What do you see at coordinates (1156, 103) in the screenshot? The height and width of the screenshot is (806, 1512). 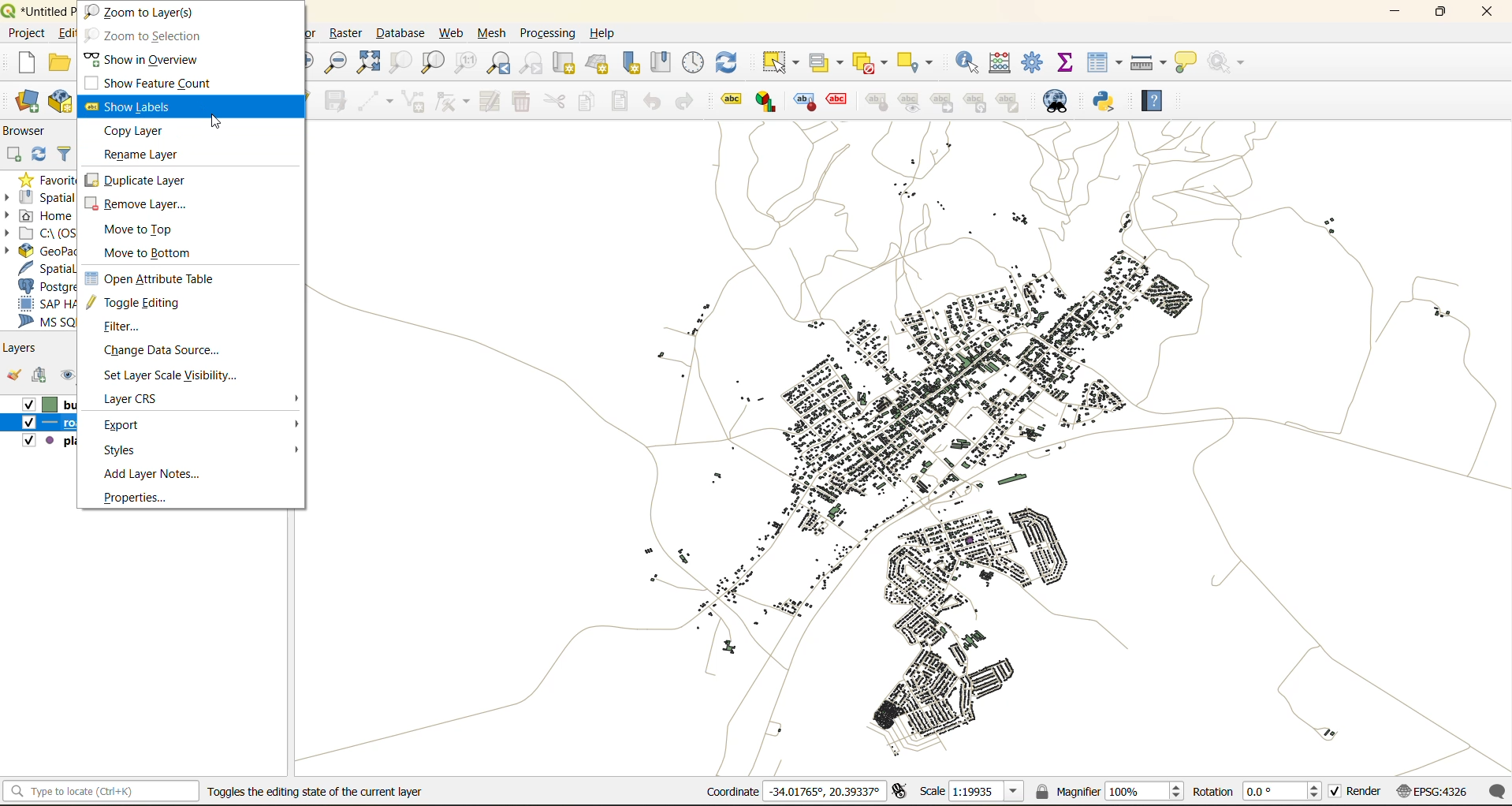 I see `help` at bounding box center [1156, 103].